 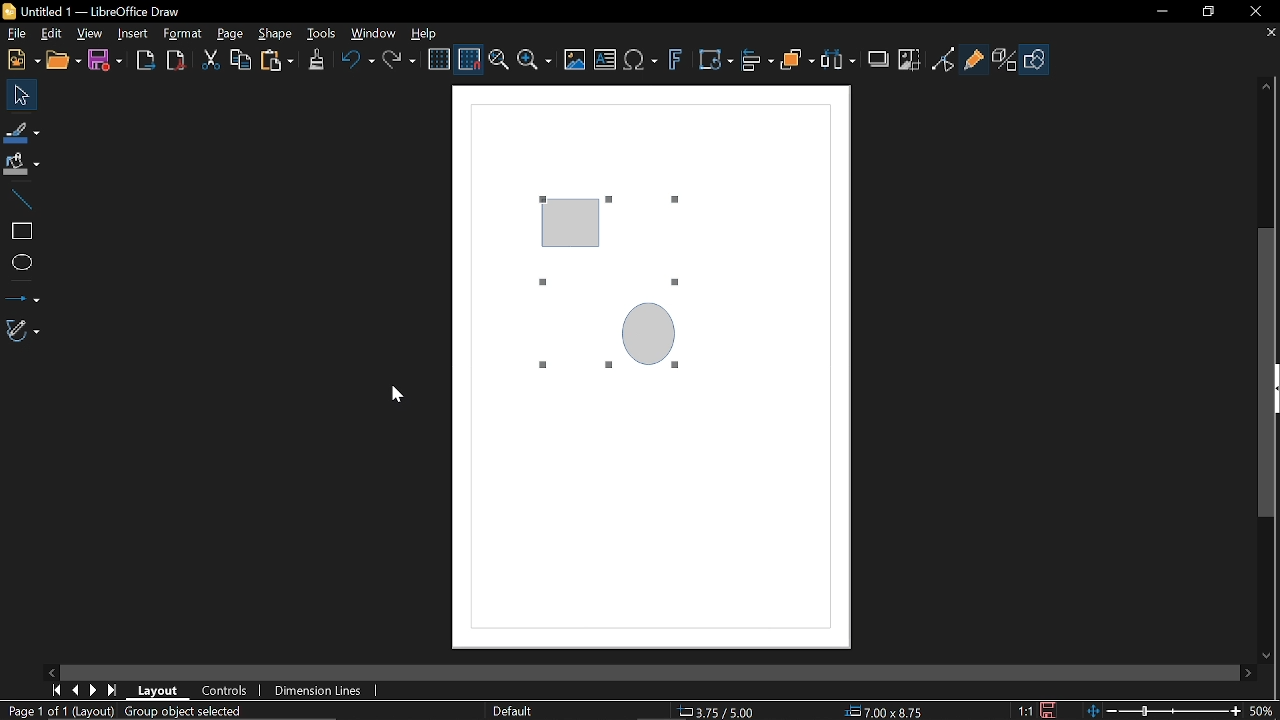 What do you see at coordinates (20, 329) in the screenshot?
I see `Curves and polygons` at bounding box center [20, 329].